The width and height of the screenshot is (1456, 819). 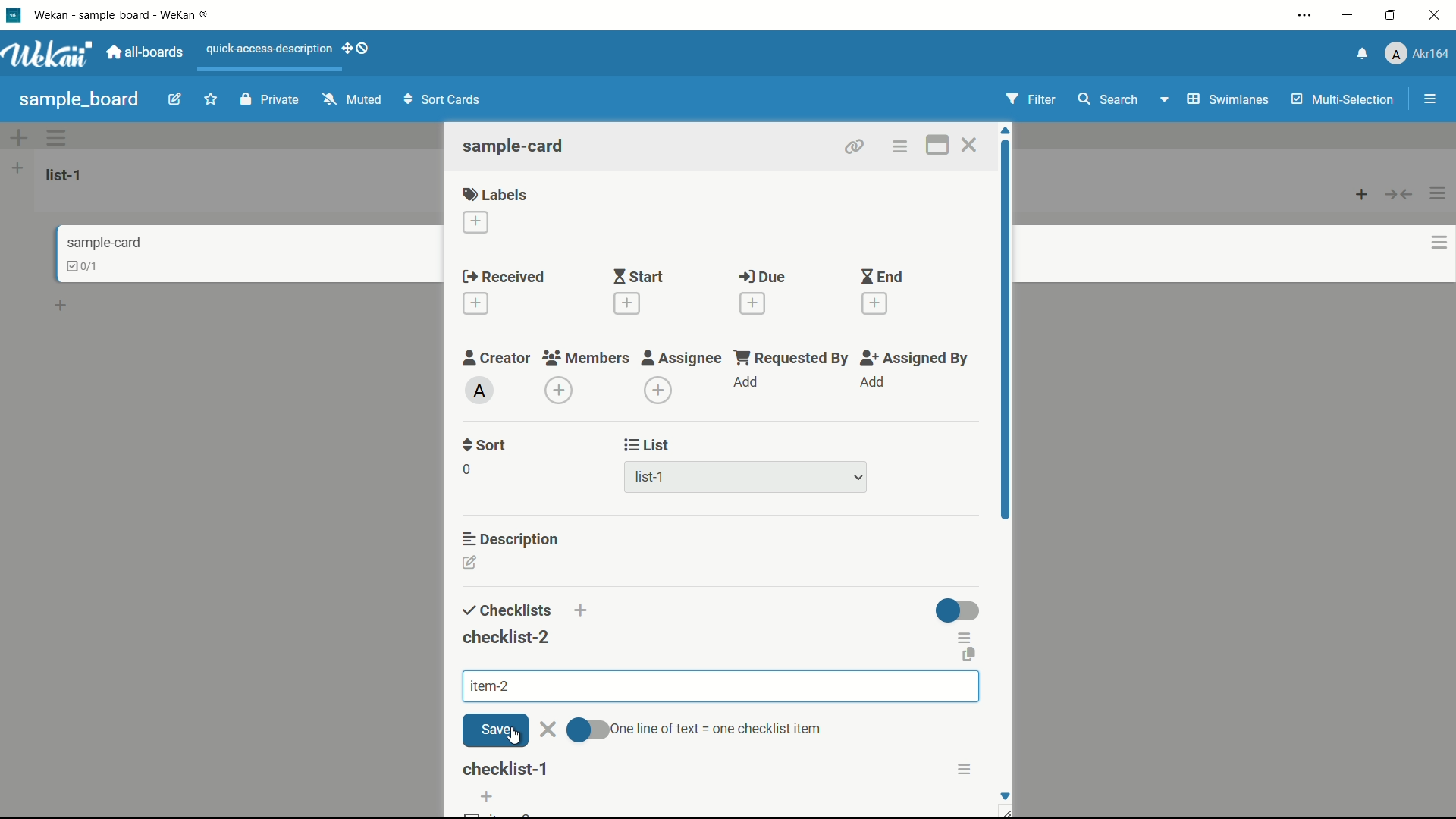 I want to click on assignee, so click(x=682, y=358).